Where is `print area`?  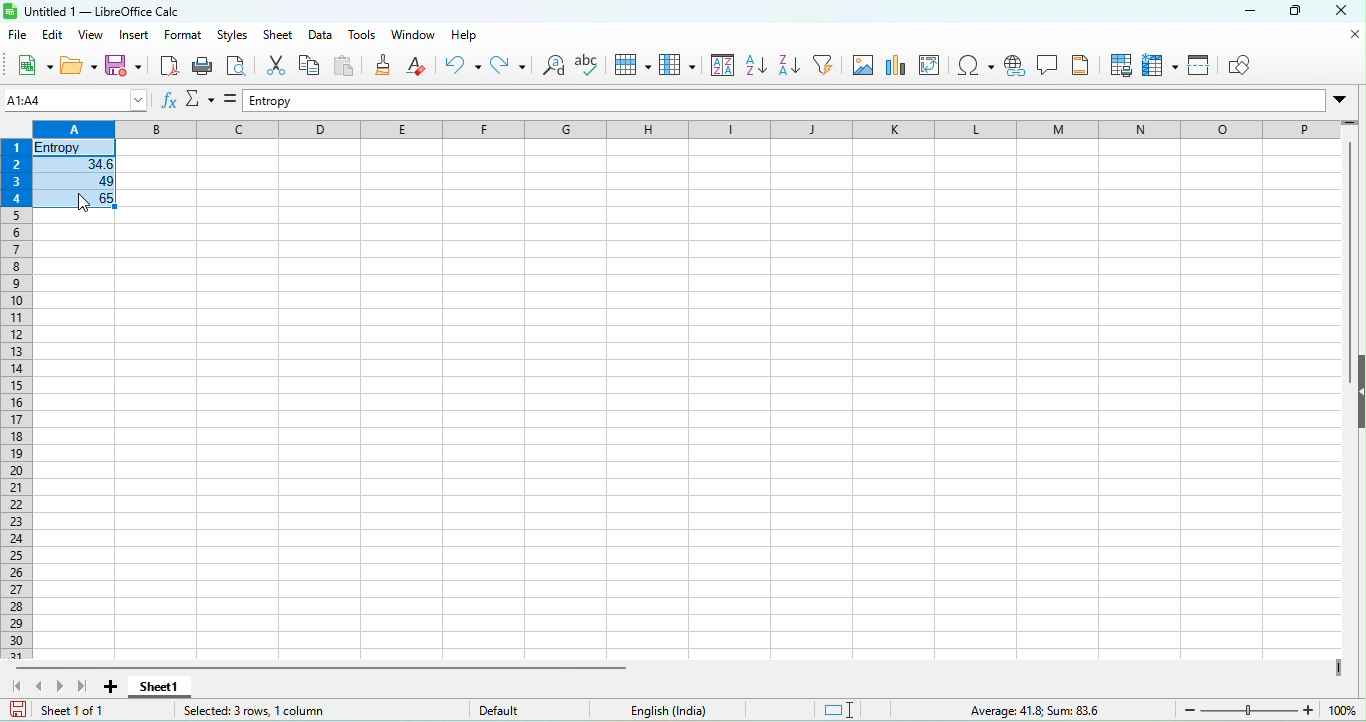
print area is located at coordinates (1121, 69).